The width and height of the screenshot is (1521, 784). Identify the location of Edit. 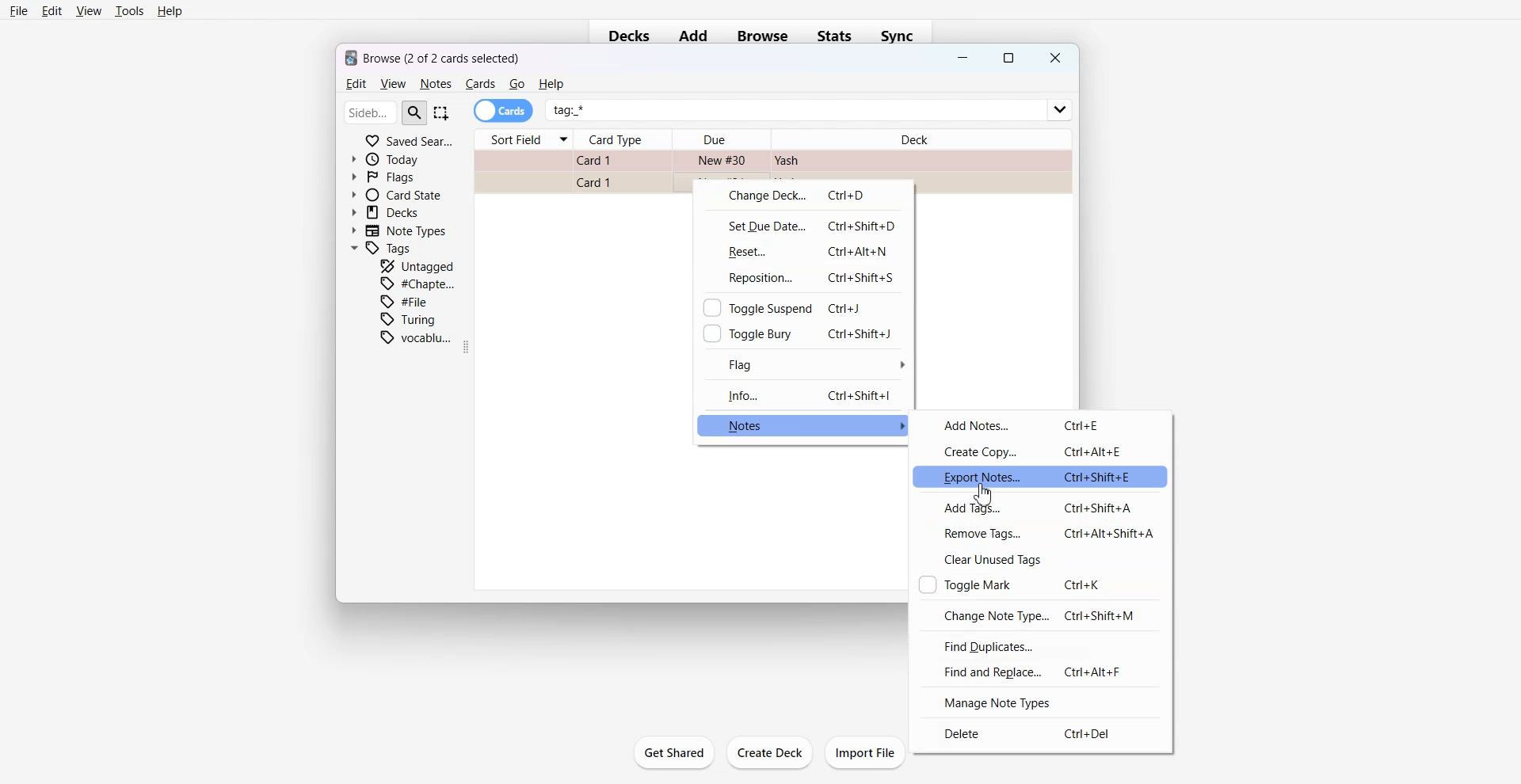
(52, 10).